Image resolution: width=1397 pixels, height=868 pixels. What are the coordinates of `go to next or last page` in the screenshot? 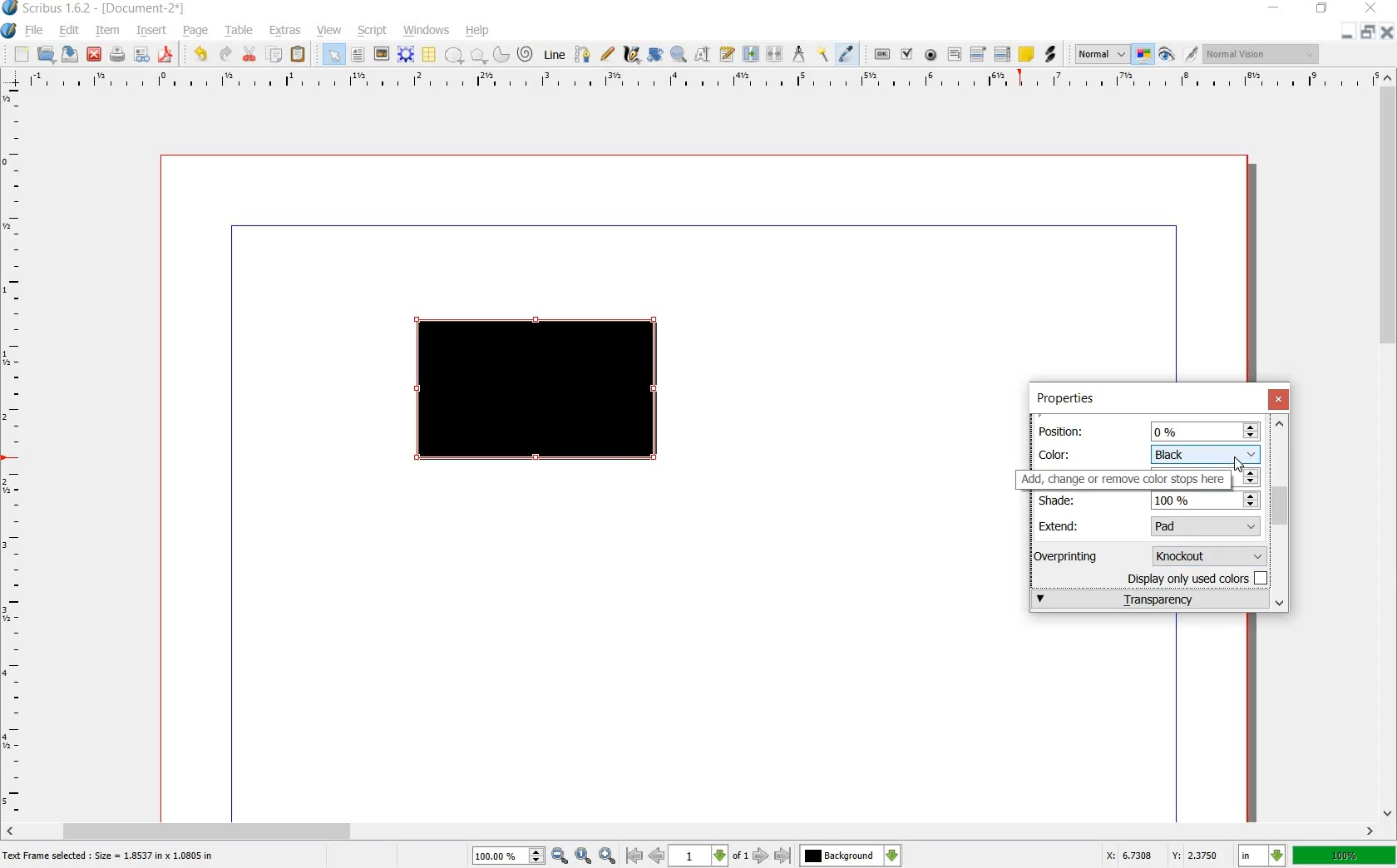 It's located at (771, 856).